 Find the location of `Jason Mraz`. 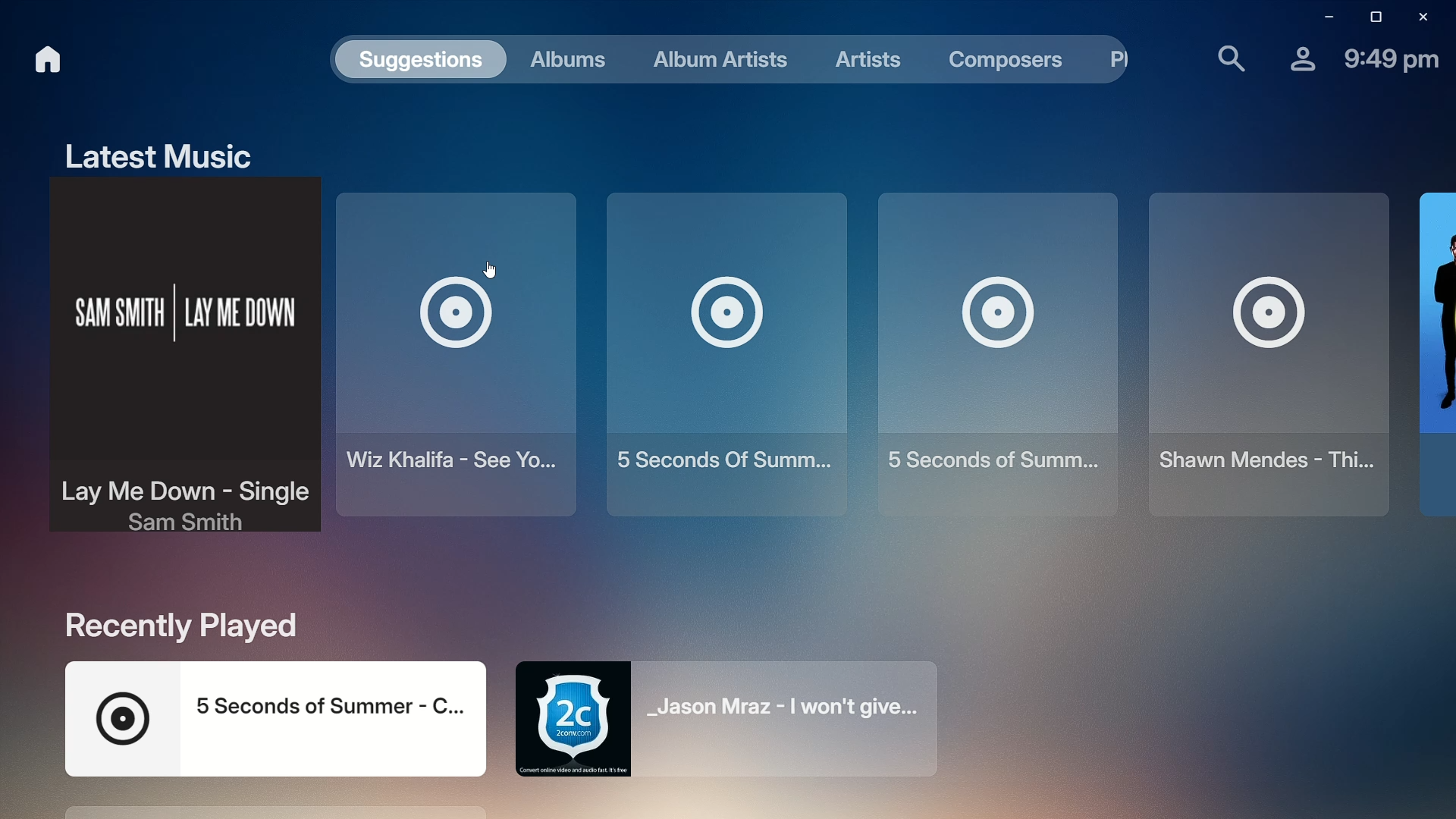

Jason Mraz is located at coordinates (739, 722).